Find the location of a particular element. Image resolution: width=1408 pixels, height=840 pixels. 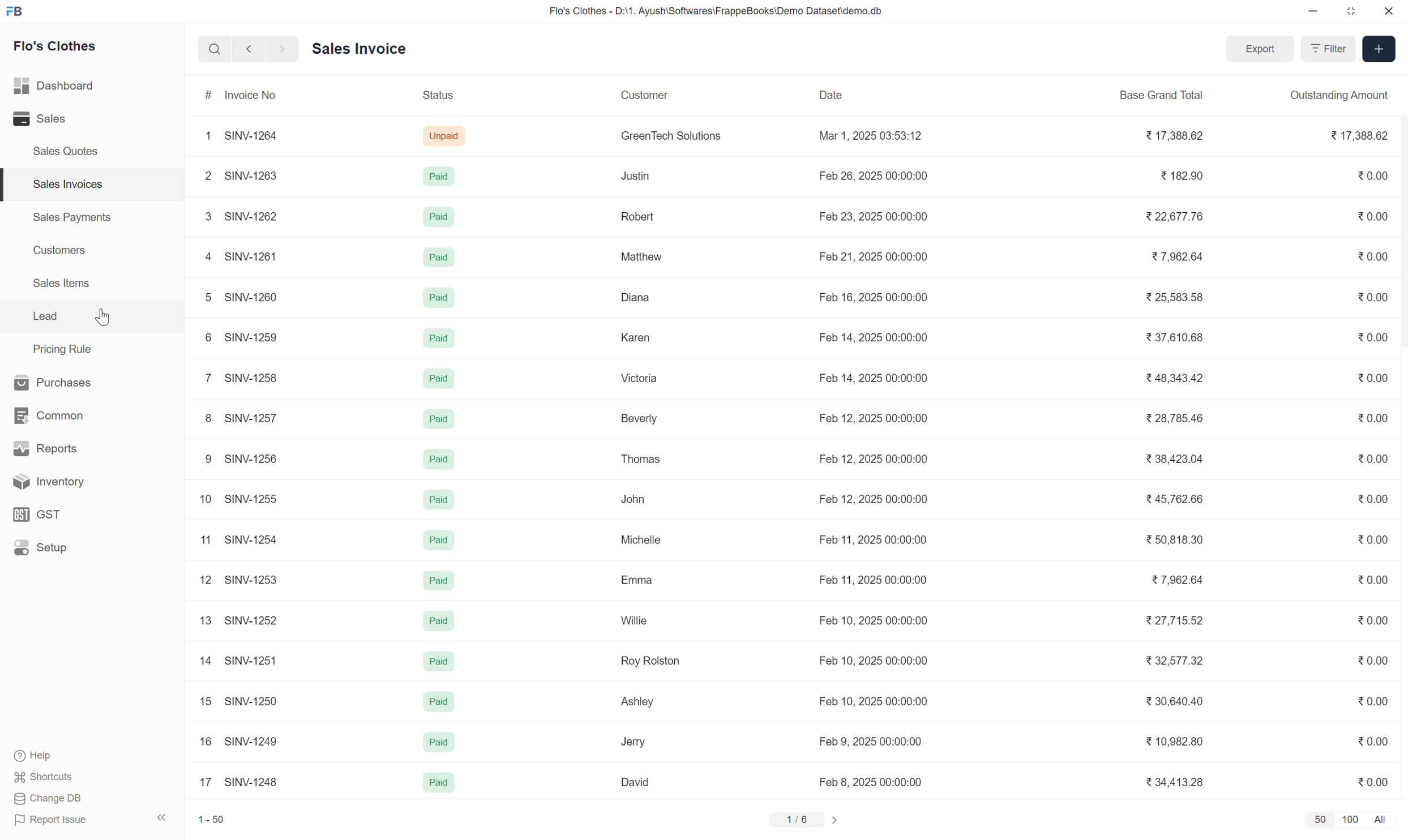

Paid is located at coordinates (436, 622).